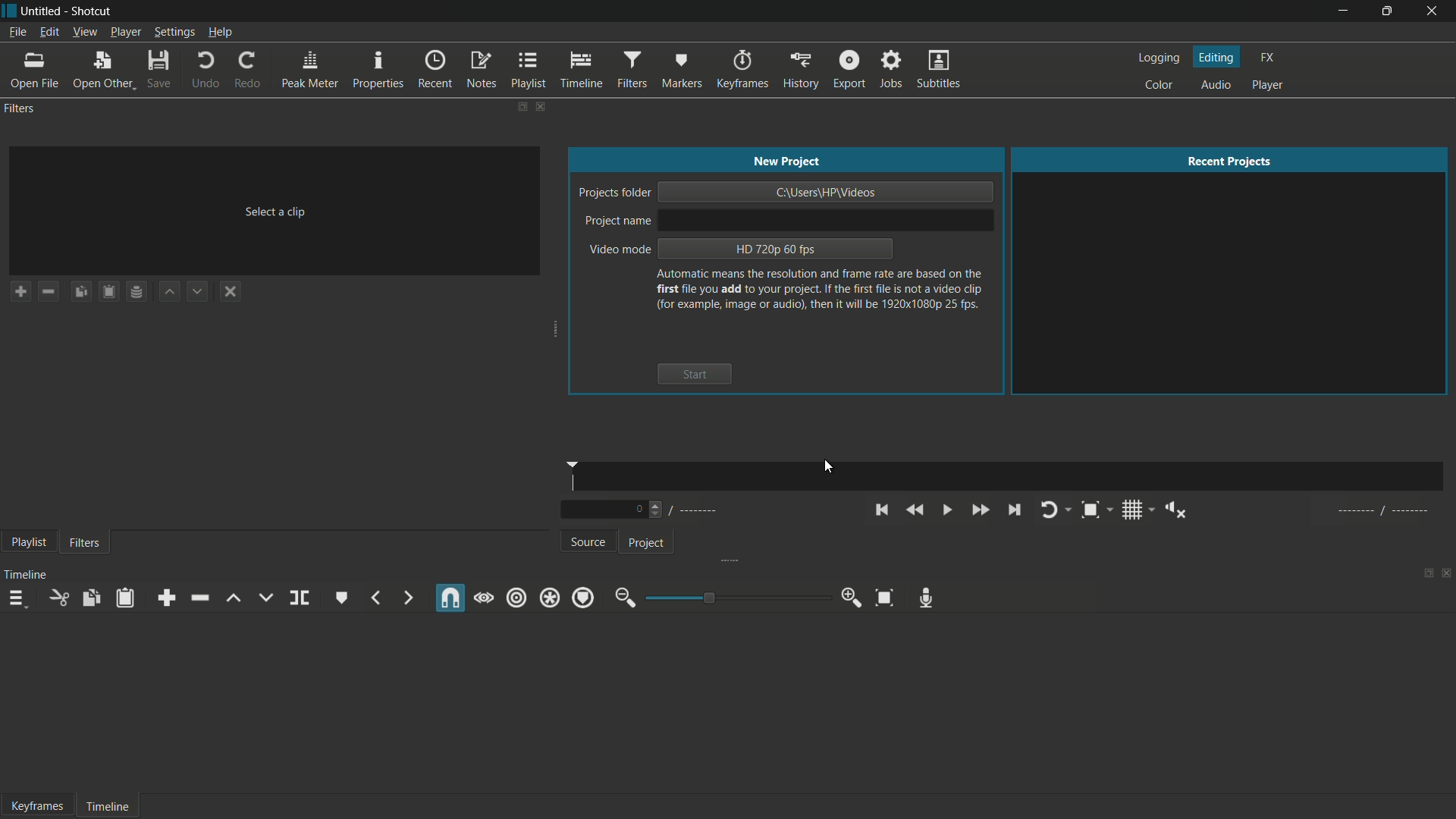 Image resolution: width=1456 pixels, height=819 pixels. Describe the element at coordinates (786, 161) in the screenshot. I see `new project` at that location.